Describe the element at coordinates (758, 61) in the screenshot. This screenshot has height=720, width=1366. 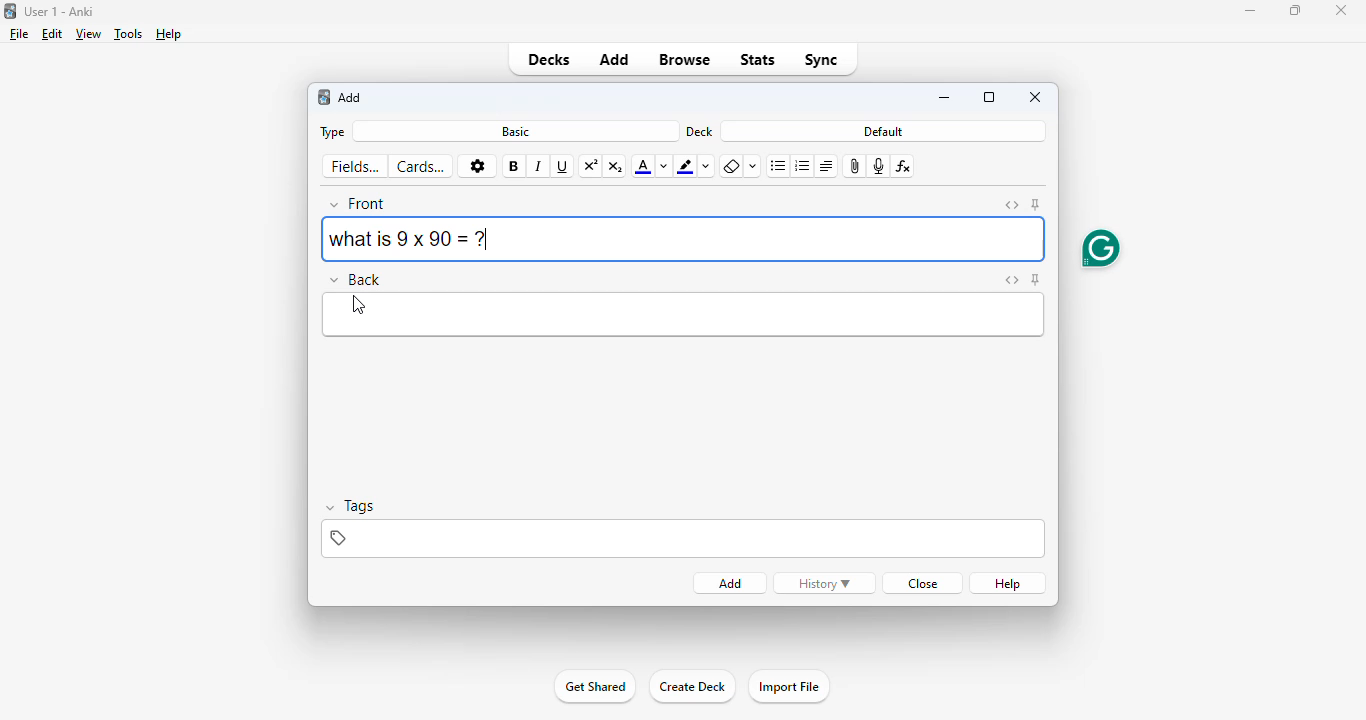
I see `stats` at that location.